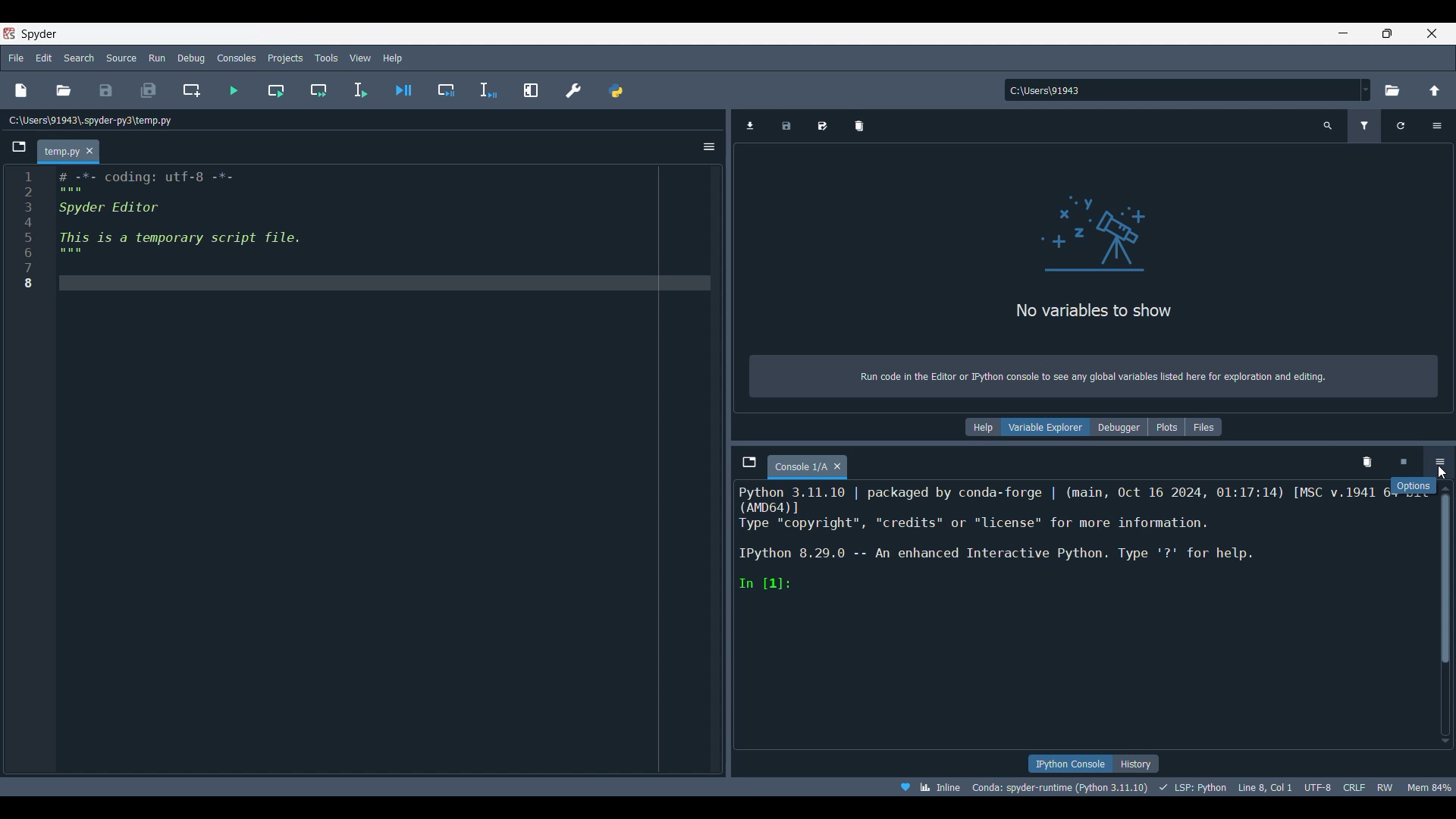 Image resolution: width=1456 pixels, height=819 pixels. What do you see at coordinates (107, 90) in the screenshot?
I see `Save file` at bounding box center [107, 90].